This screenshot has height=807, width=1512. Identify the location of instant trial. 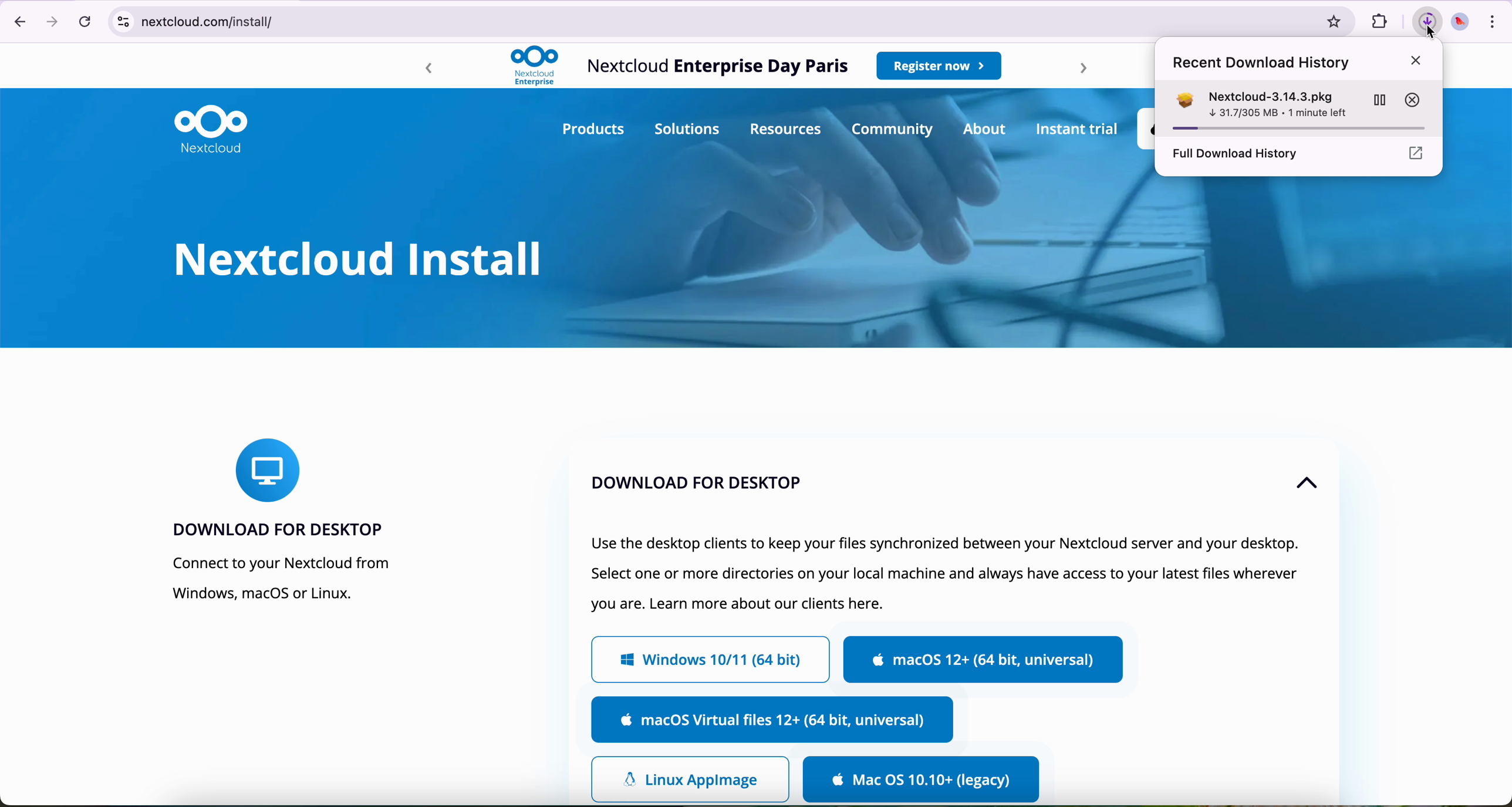
(1078, 130).